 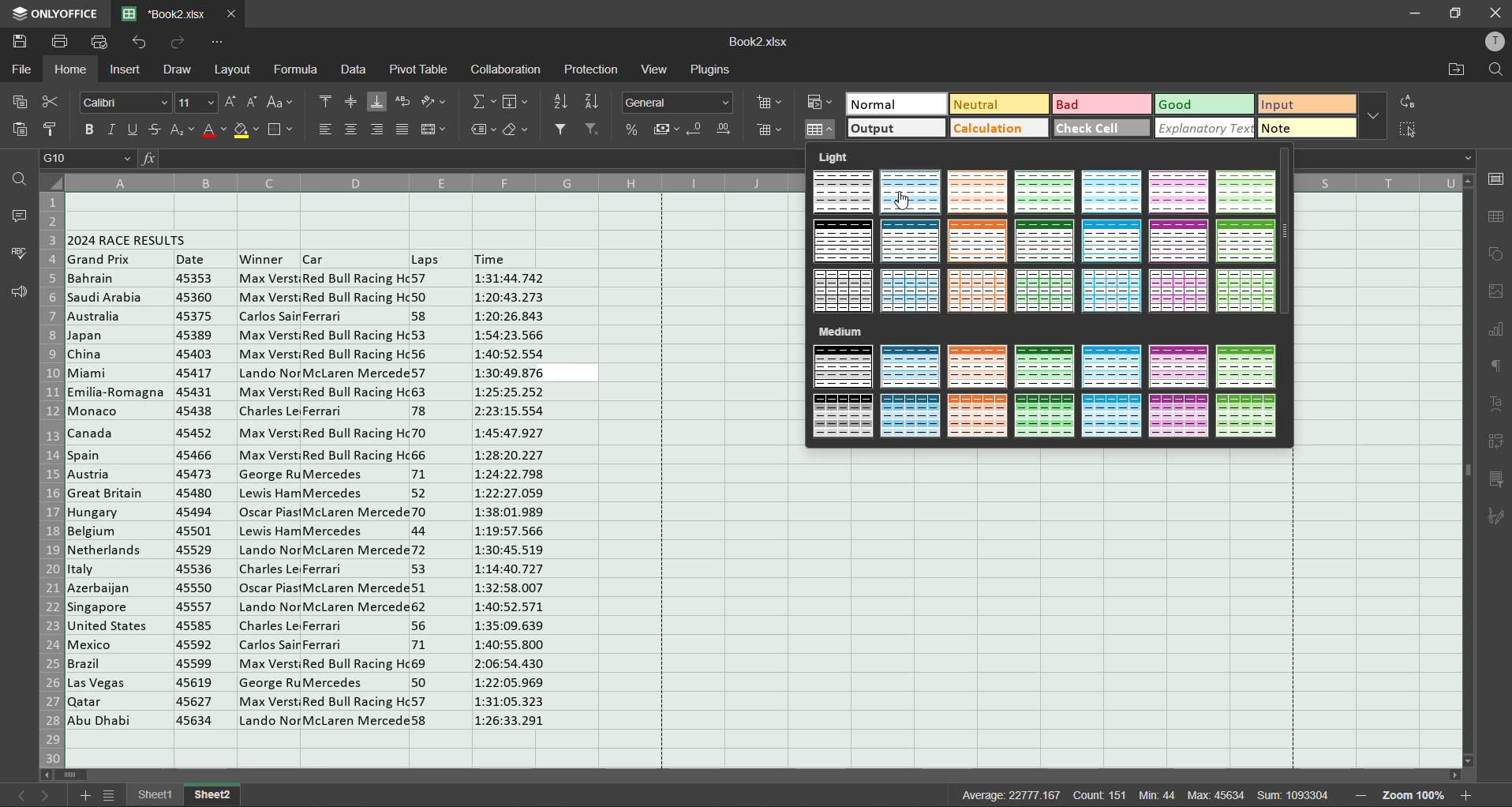 I want to click on output, so click(x=896, y=129).